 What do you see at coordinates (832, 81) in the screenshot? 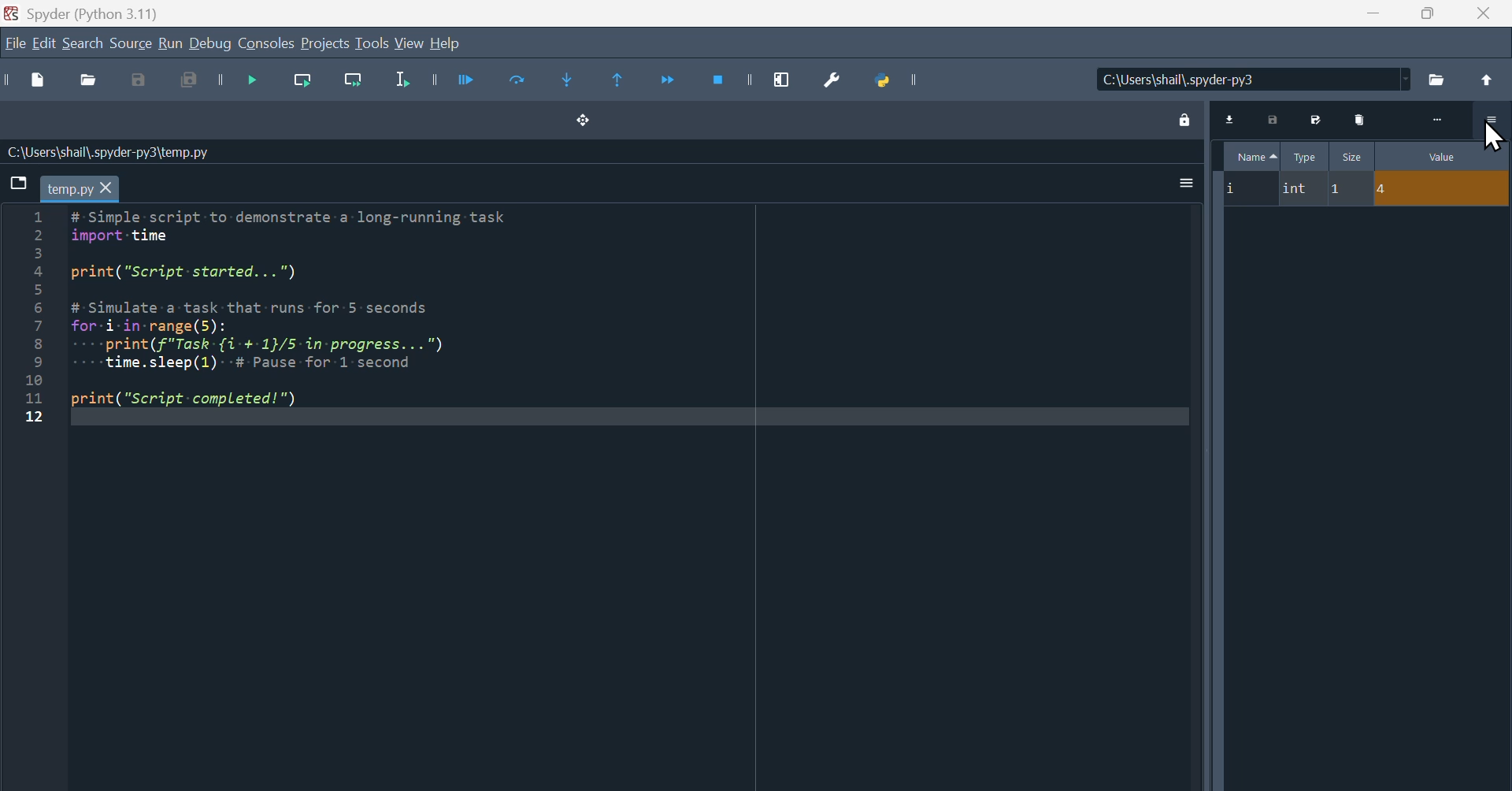
I see `Preferences` at bounding box center [832, 81].